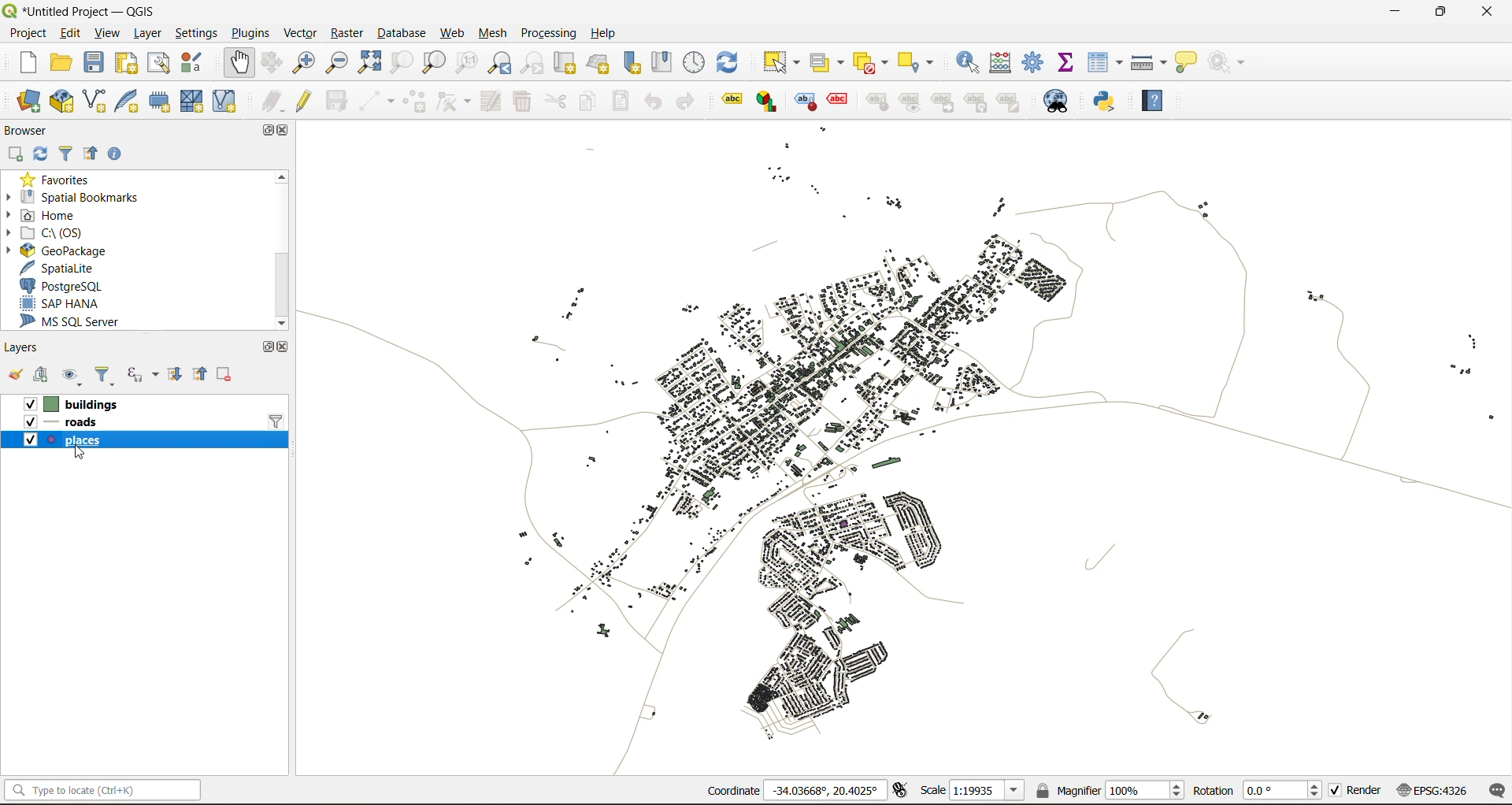  Describe the element at coordinates (339, 99) in the screenshot. I see `save edits` at that location.